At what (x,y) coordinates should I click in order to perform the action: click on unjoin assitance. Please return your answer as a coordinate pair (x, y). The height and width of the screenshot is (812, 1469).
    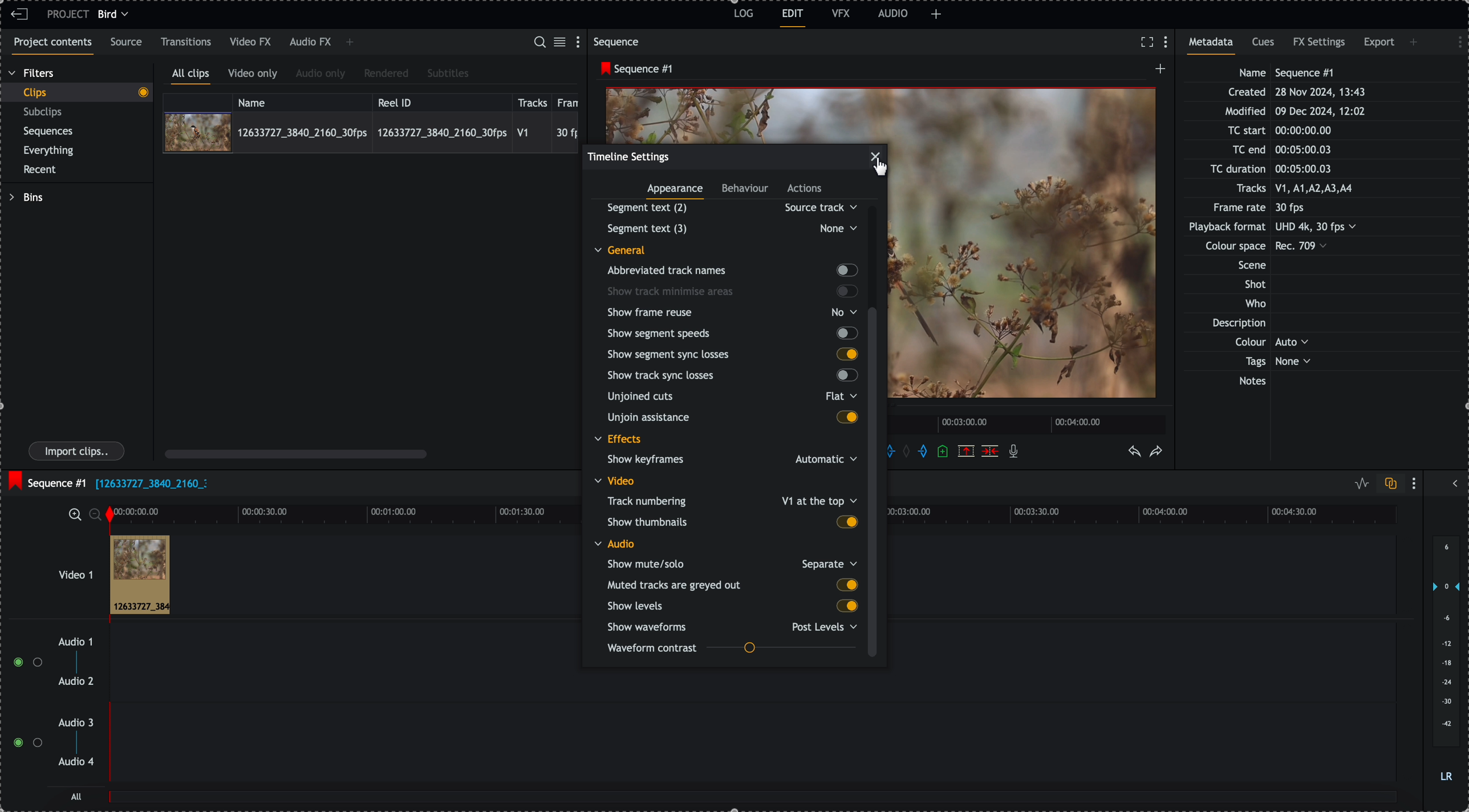
    Looking at the image, I should click on (733, 419).